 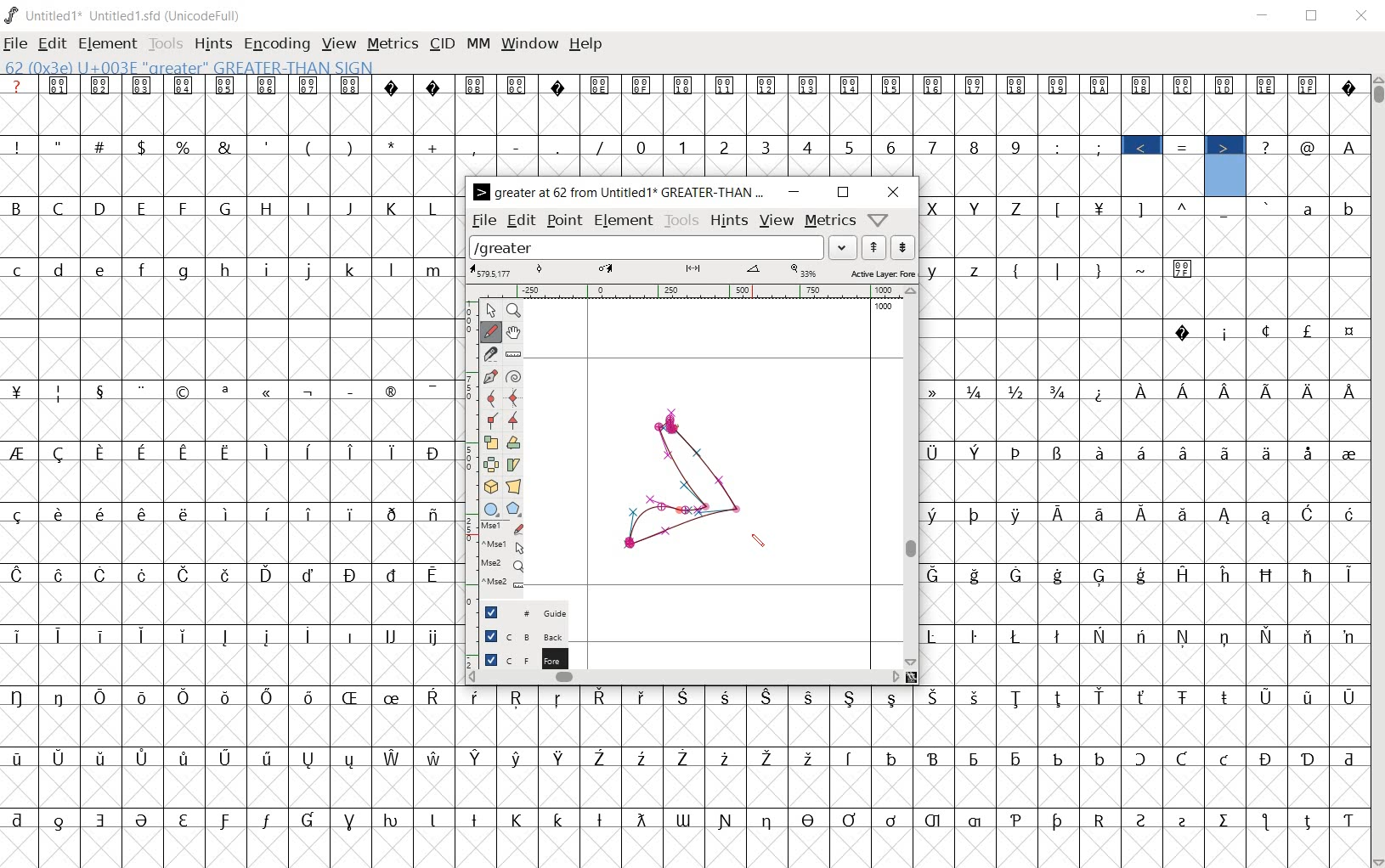 I want to click on restore down, so click(x=843, y=192).